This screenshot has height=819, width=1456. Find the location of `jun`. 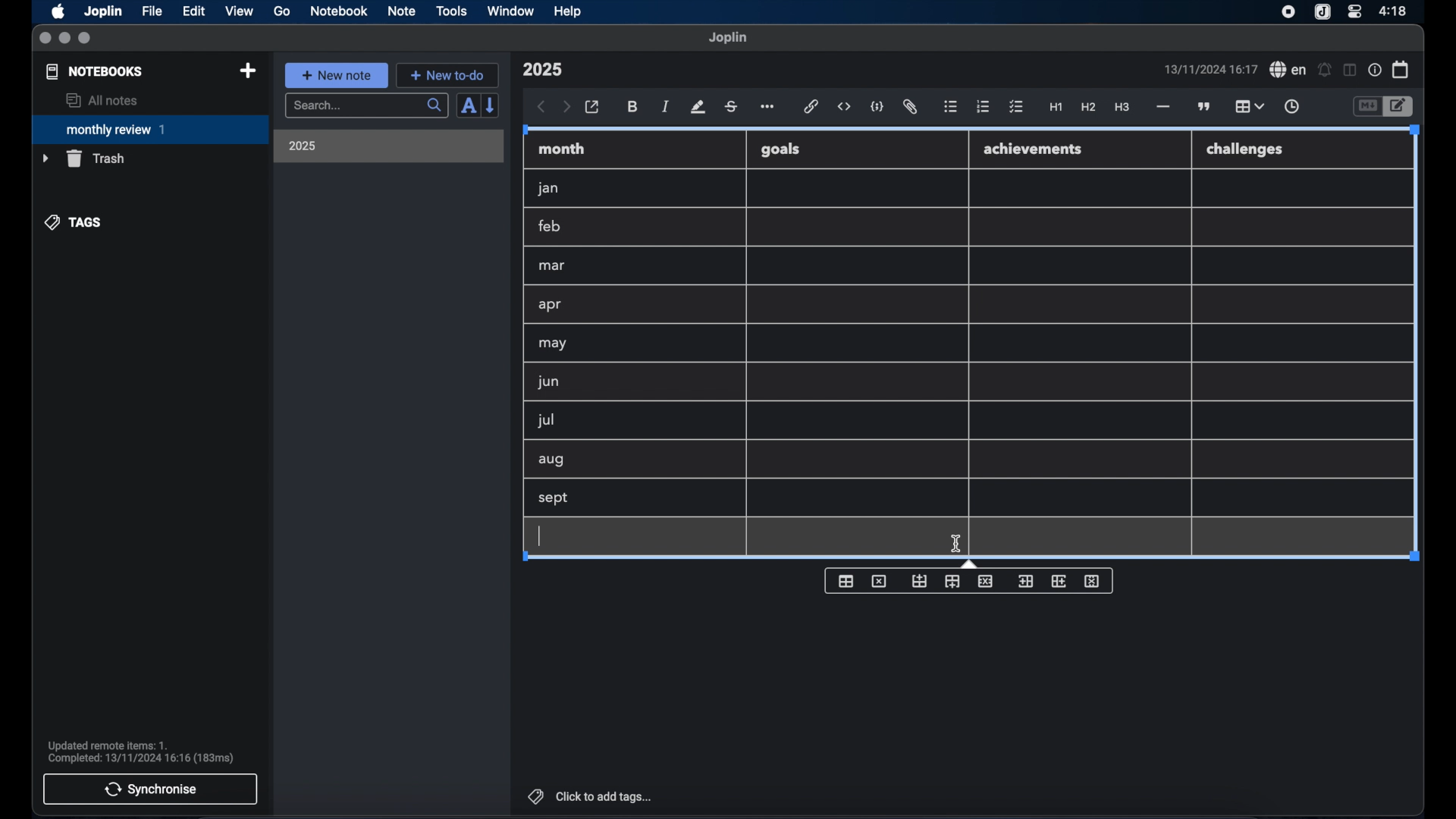

jun is located at coordinates (547, 381).